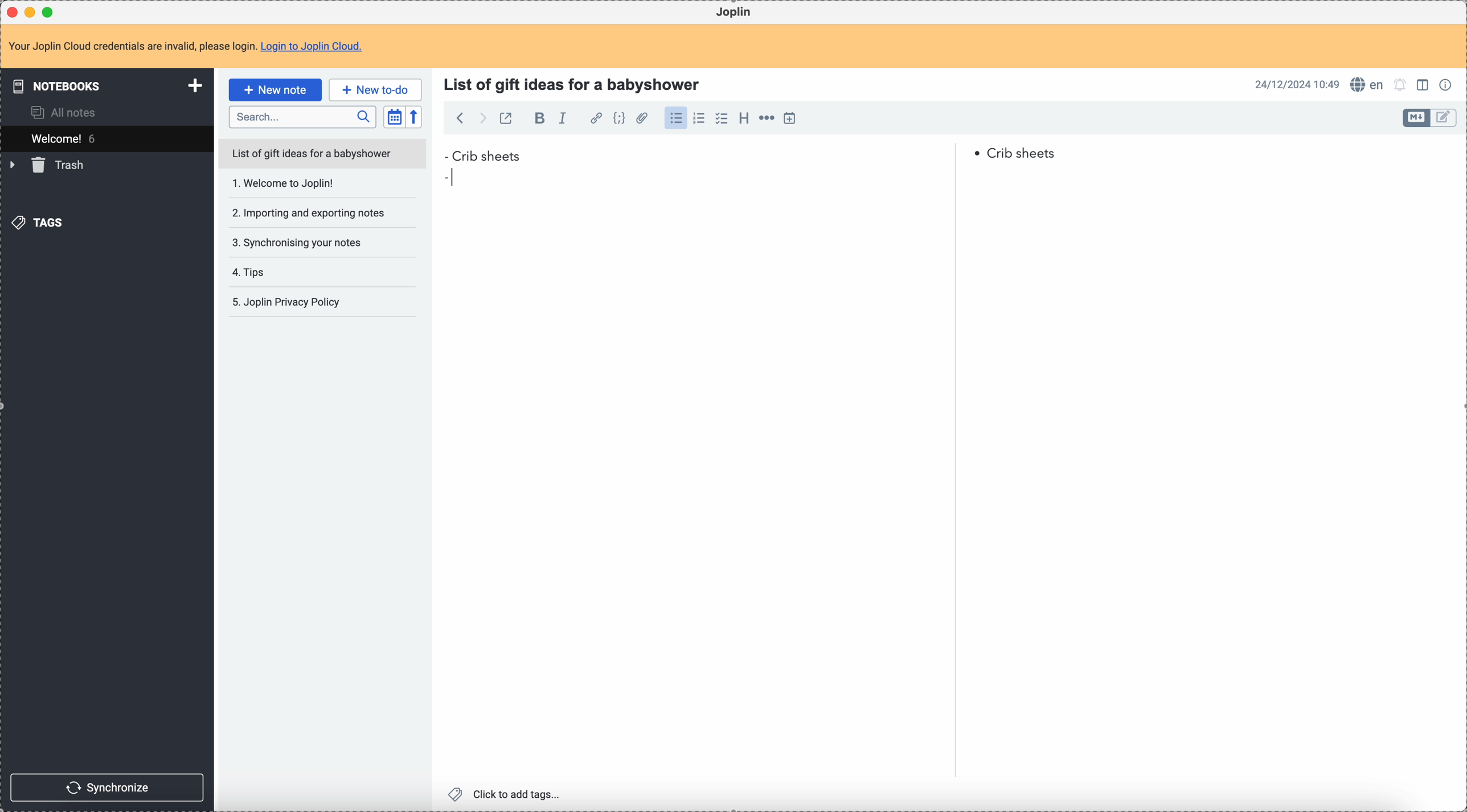 The height and width of the screenshot is (812, 1467). Describe the element at coordinates (1368, 85) in the screenshot. I see `spell checker` at that location.